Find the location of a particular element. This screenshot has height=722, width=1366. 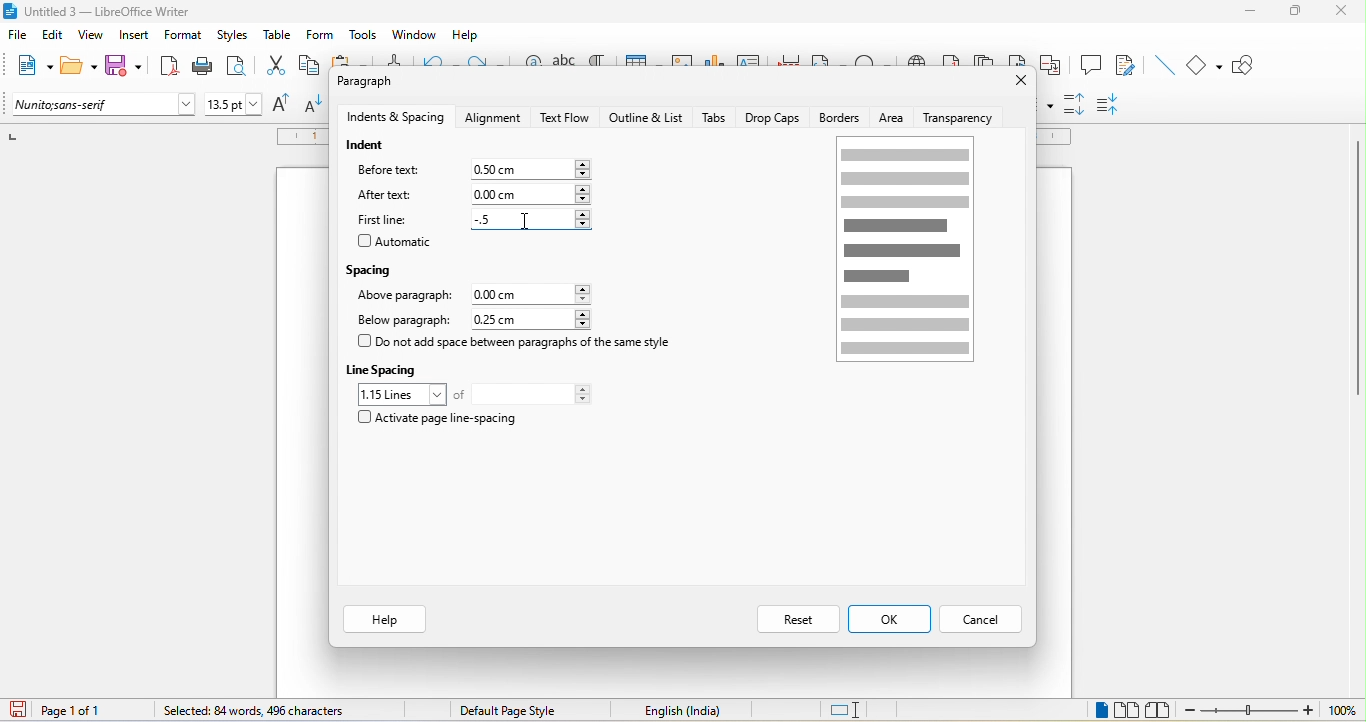

insert line is located at coordinates (1163, 65).